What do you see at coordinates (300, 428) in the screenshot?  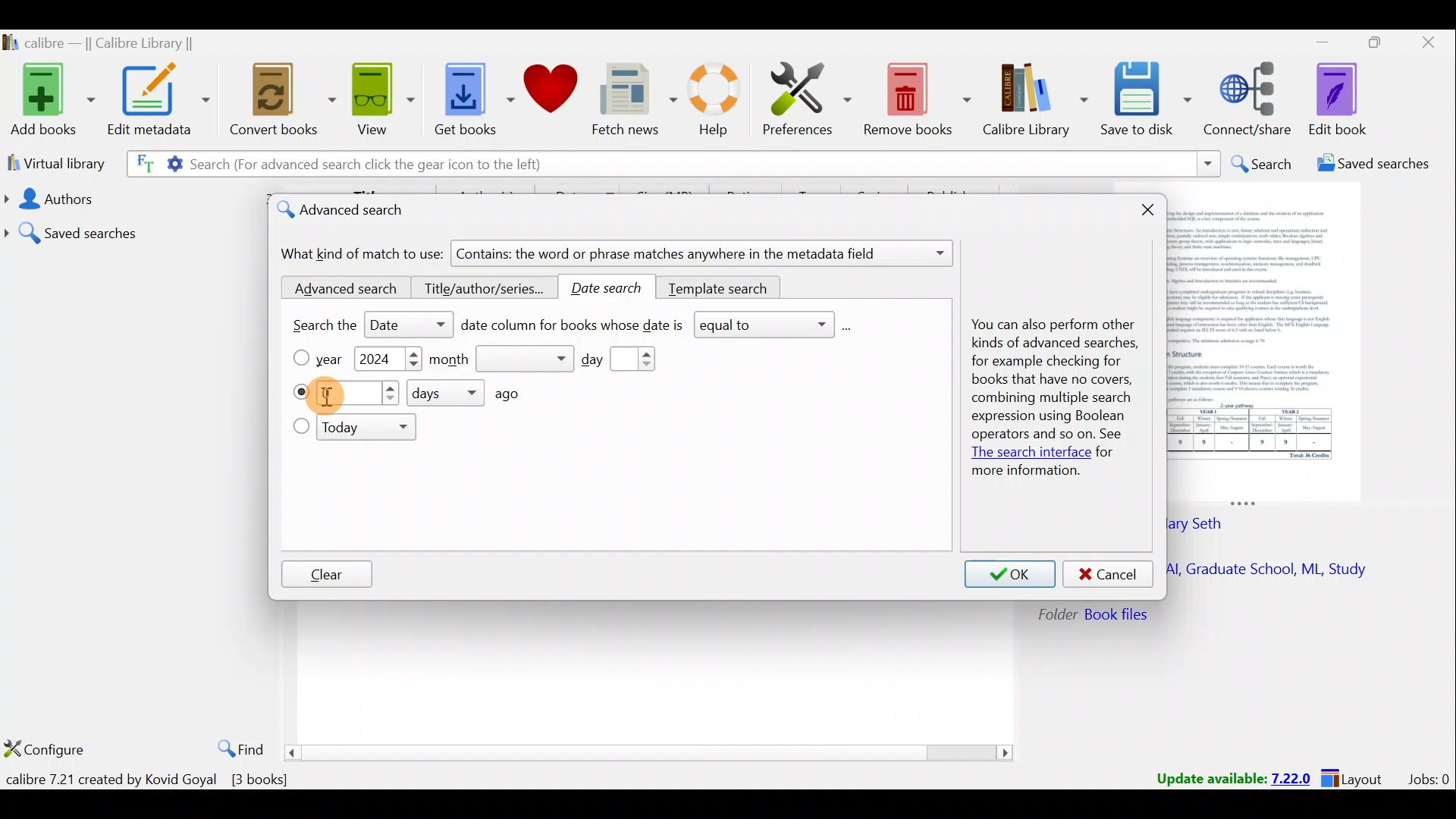 I see `Today checkbox` at bounding box center [300, 428].